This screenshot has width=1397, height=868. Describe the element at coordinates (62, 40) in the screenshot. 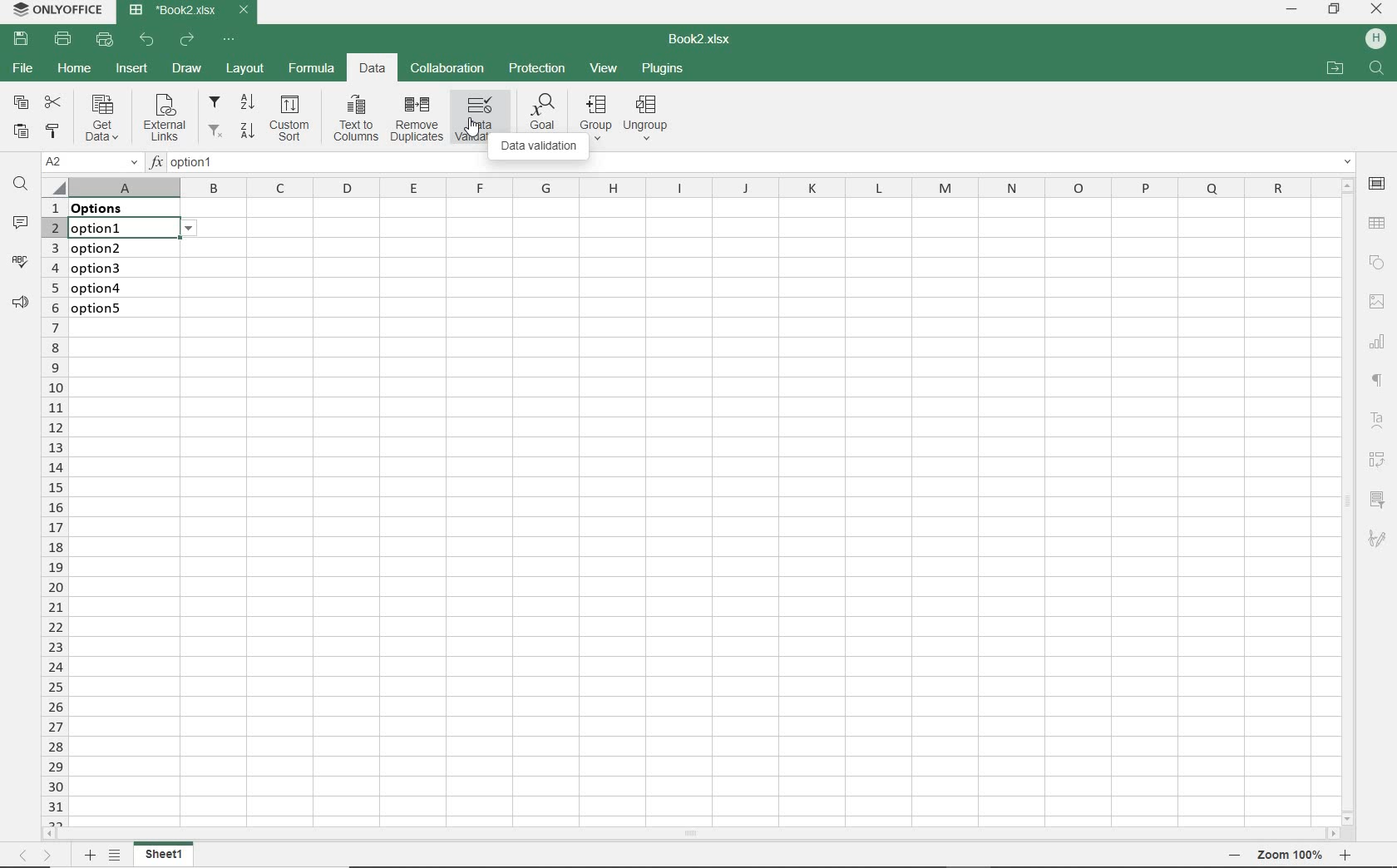

I see `PRINT` at that location.